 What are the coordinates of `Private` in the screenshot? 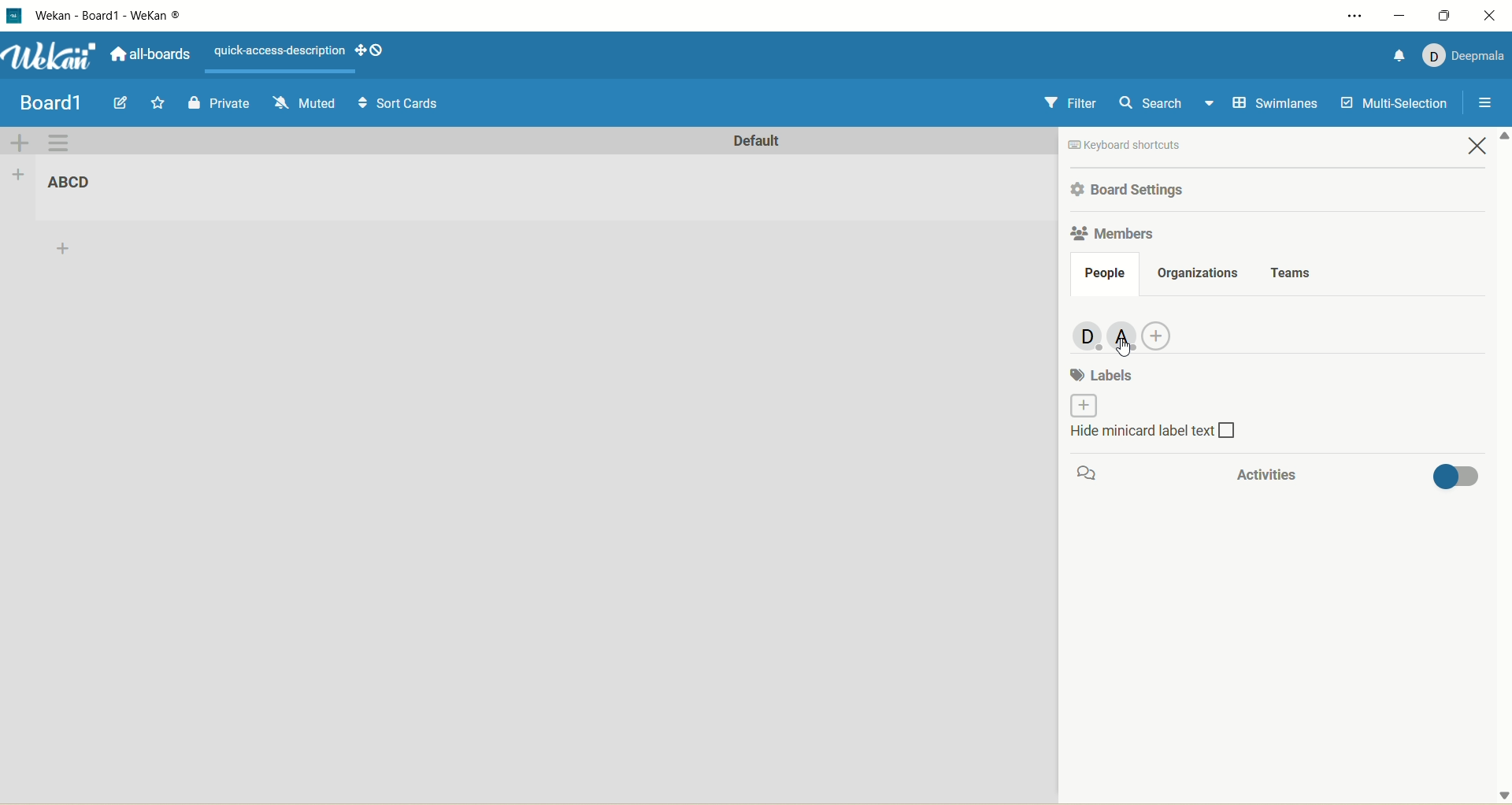 It's located at (220, 102).